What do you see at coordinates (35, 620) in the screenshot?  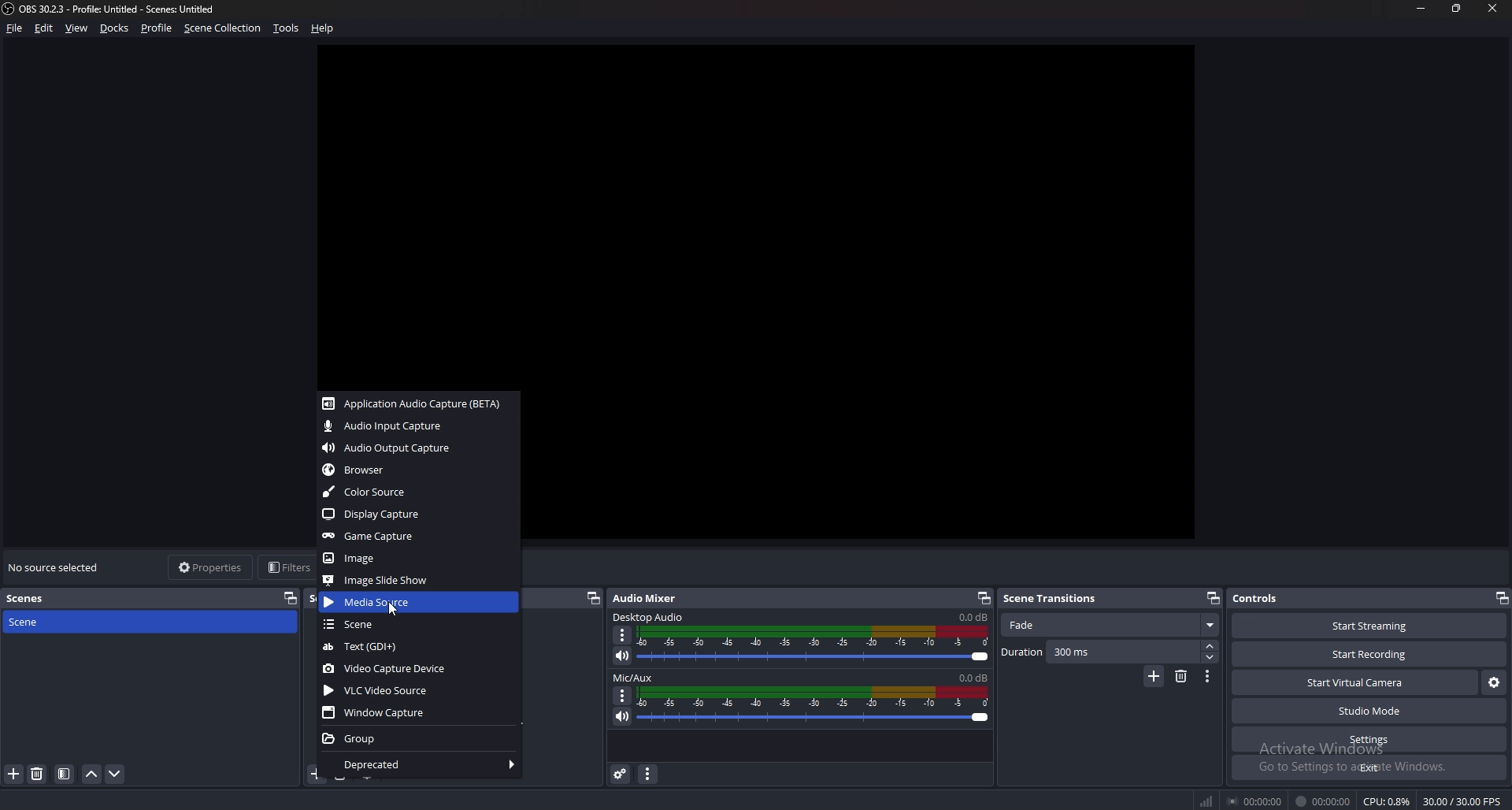 I see ` Scene scene` at bounding box center [35, 620].